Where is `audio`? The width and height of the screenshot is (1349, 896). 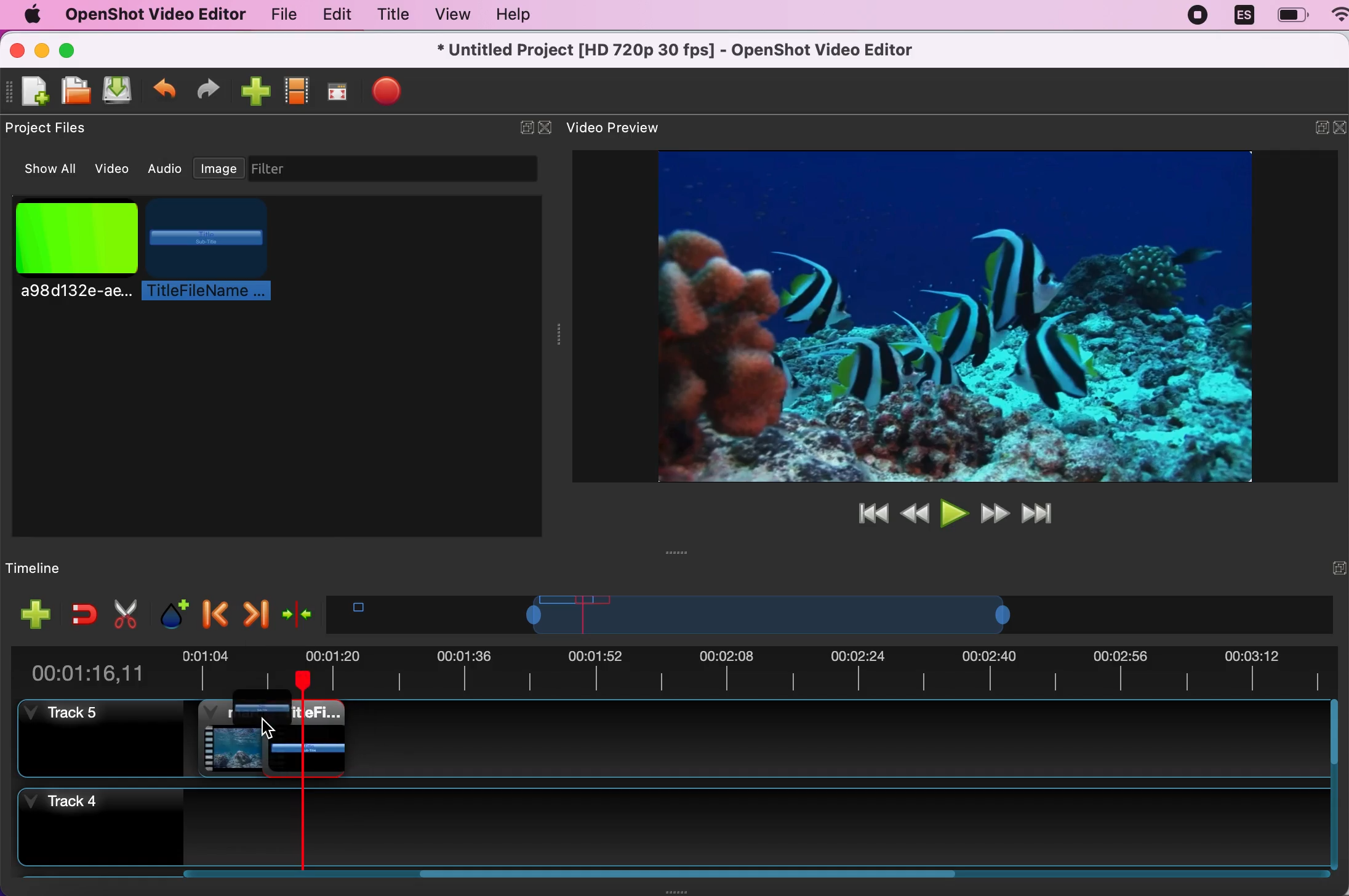 audio is located at coordinates (166, 169).